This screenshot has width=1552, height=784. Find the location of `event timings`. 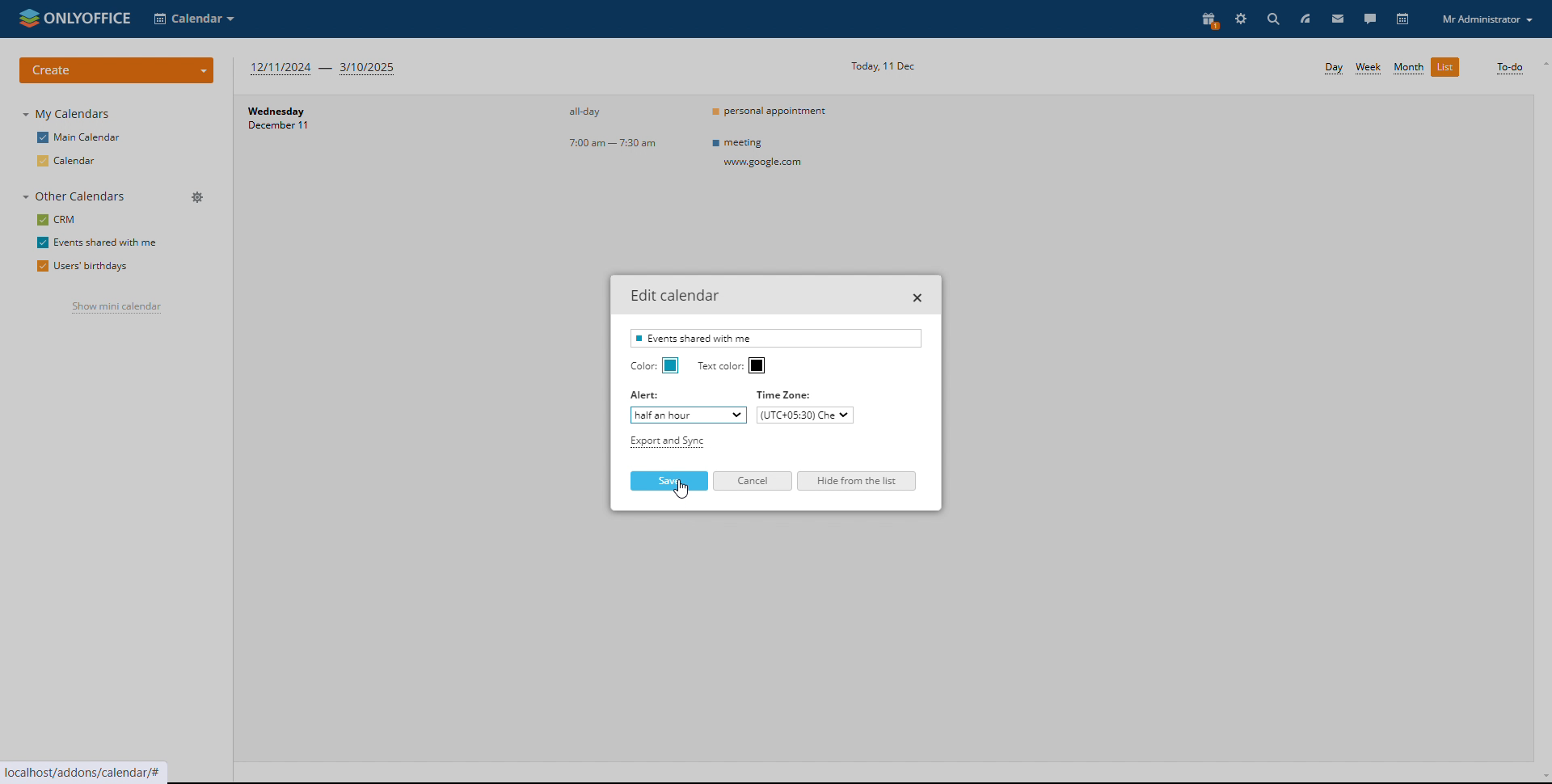

event timings is located at coordinates (618, 129).